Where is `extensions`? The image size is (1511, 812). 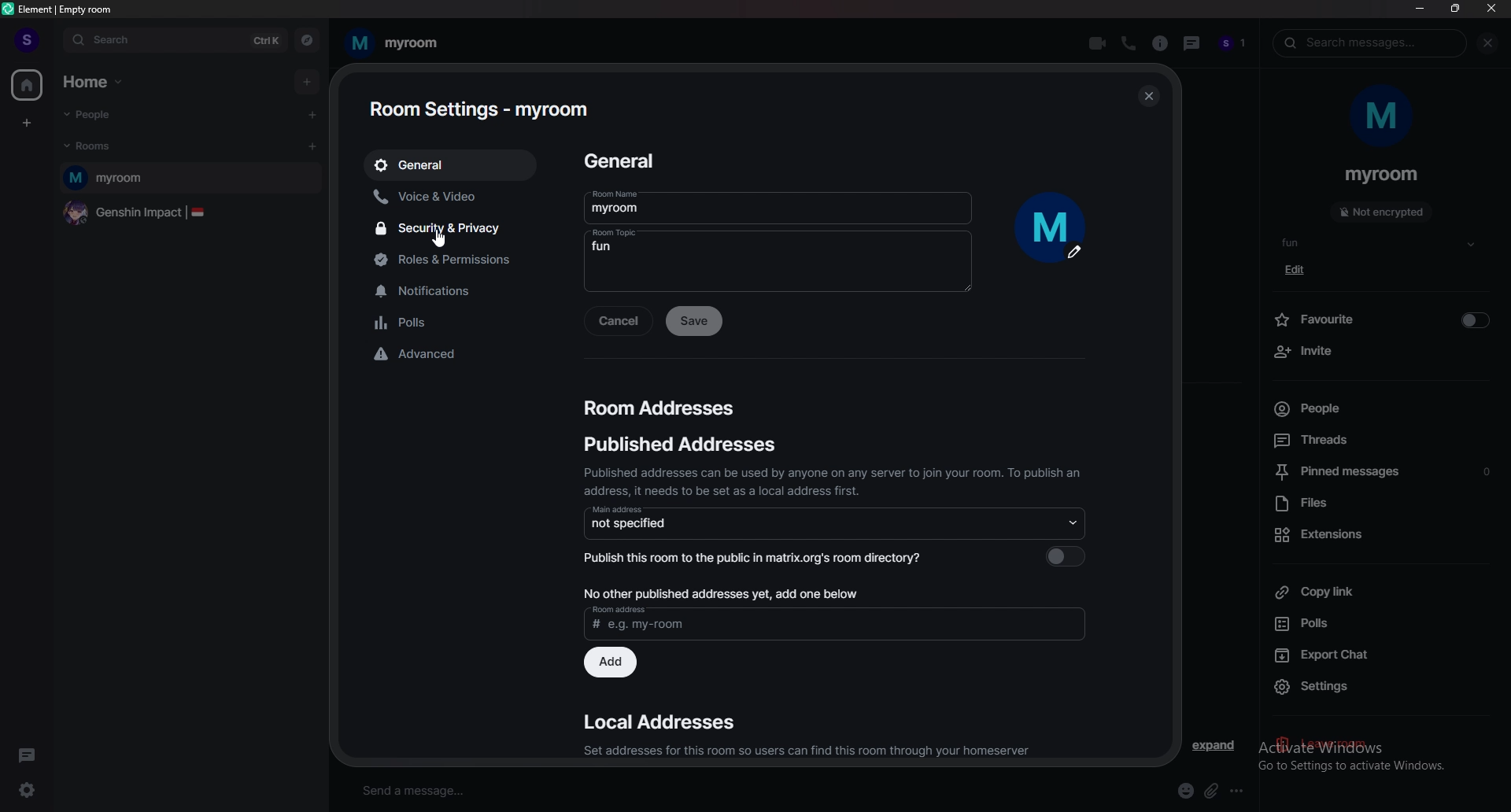
extensions is located at coordinates (1380, 537).